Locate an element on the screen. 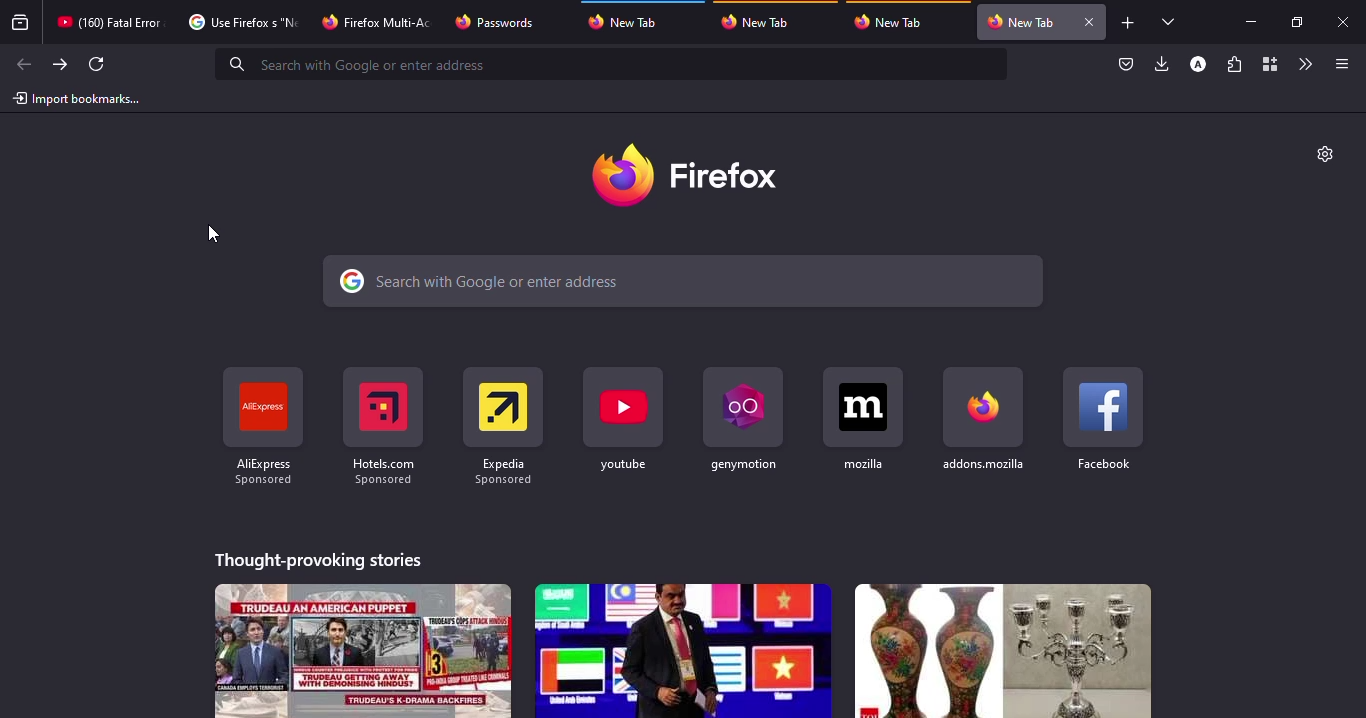 The height and width of the screenshot is (718, 1366). tab is located at coordinates (112, 22).